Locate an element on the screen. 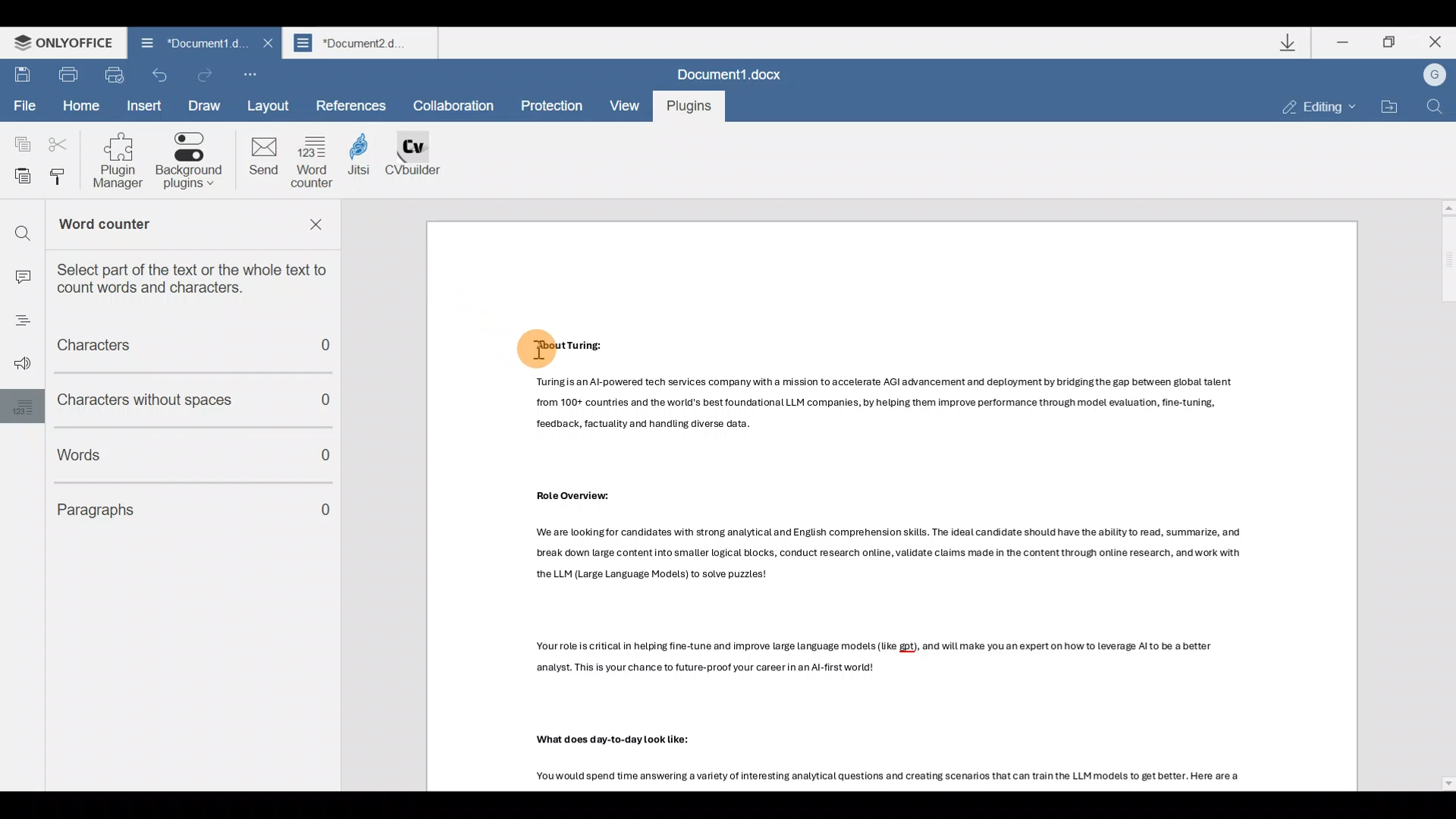  References is located at coordinates (352, 104).